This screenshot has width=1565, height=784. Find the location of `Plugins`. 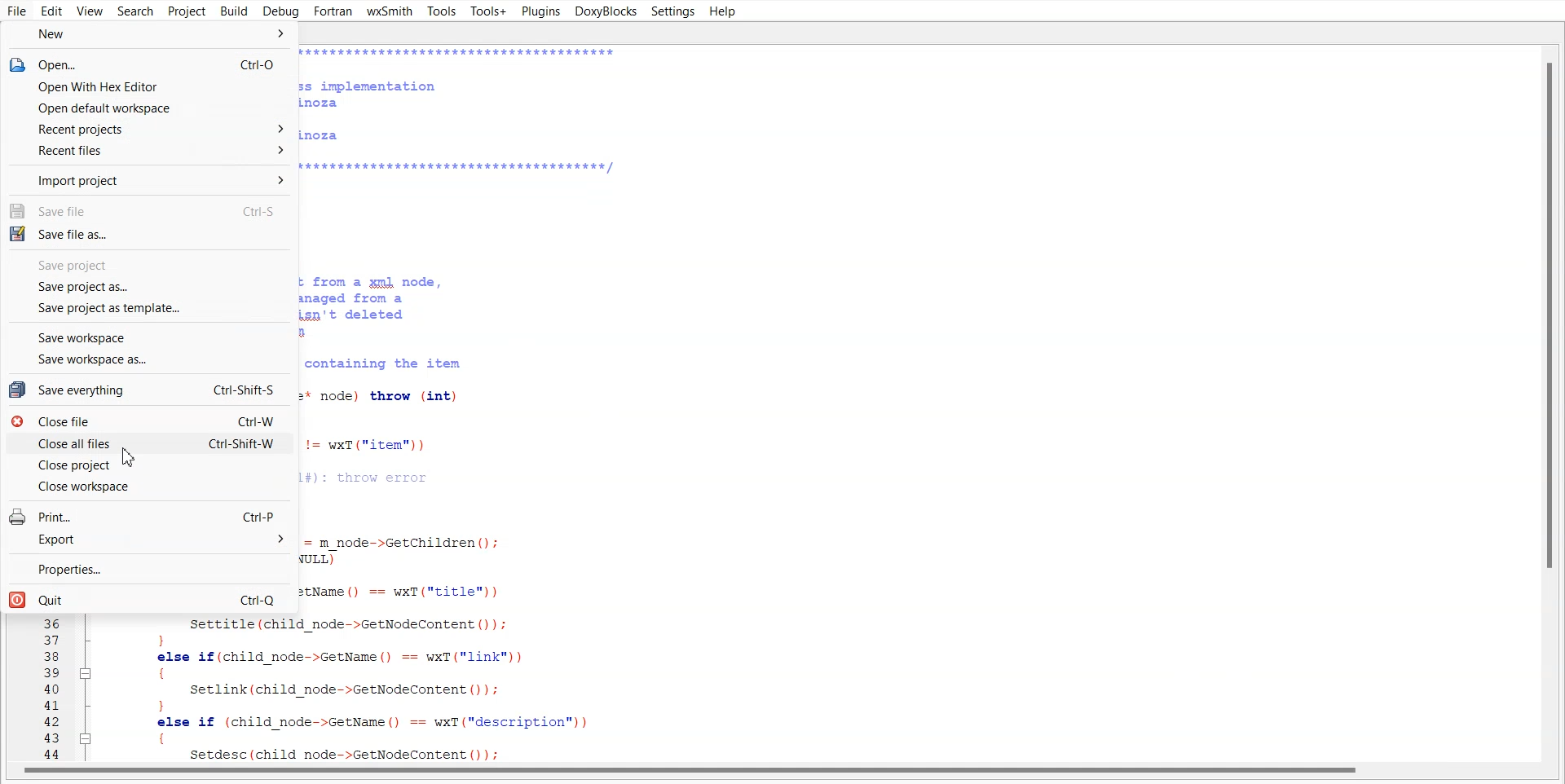

Plugins is located at coordinates (540, 11).